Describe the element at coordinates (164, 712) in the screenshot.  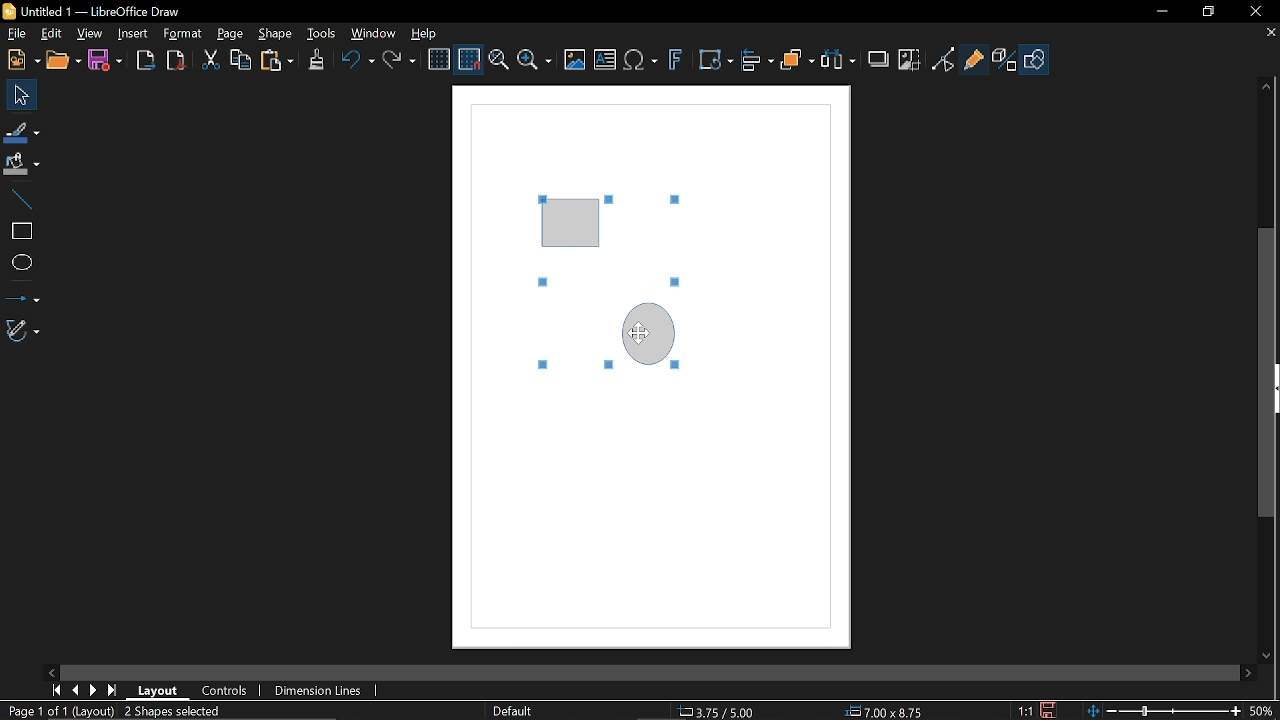
I see `Mark objects` at that location.